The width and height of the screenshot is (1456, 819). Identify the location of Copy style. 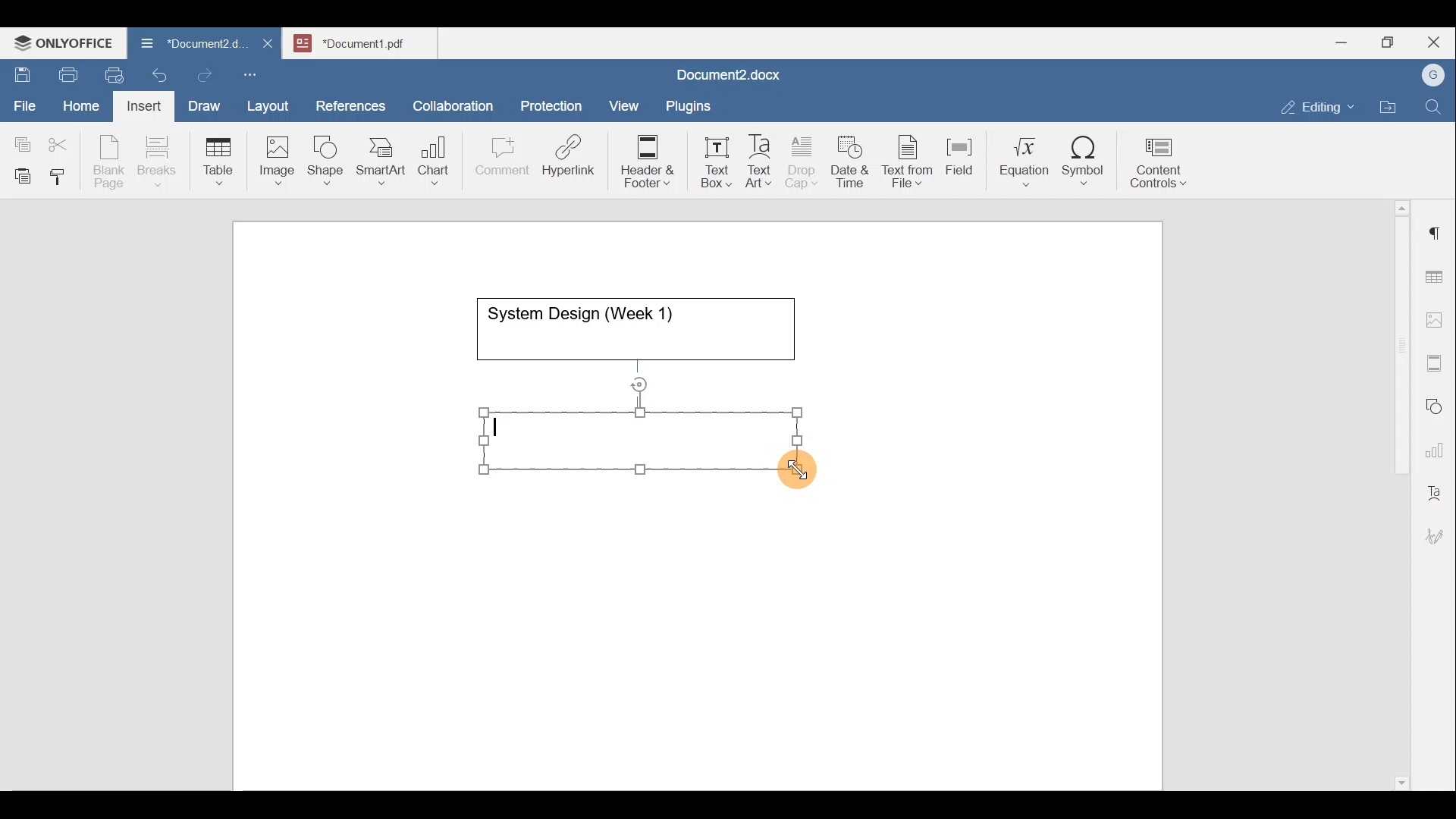
(63, 173).